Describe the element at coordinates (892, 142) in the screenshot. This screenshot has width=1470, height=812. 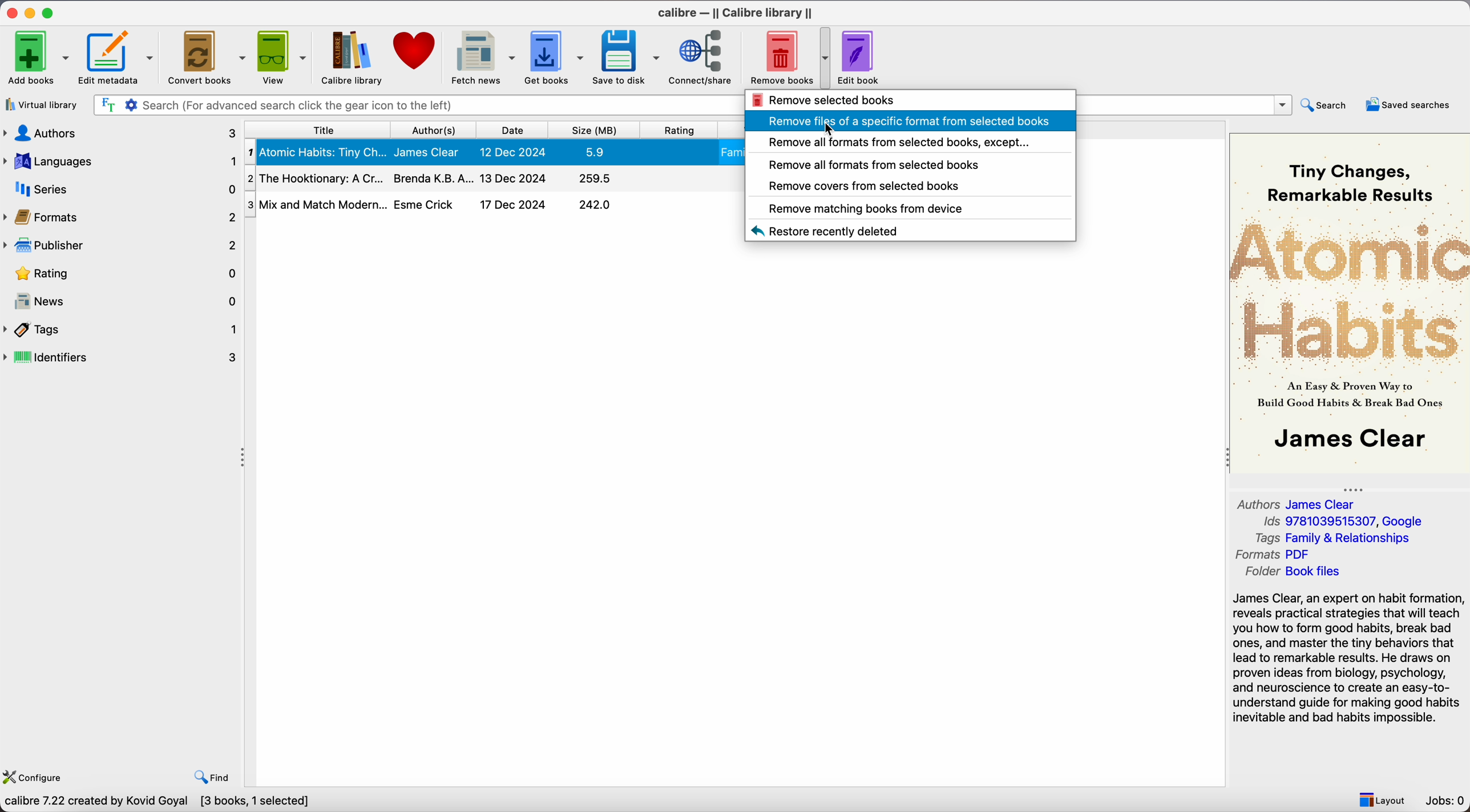
I see `remove all formats from selected books, except...` at that location.